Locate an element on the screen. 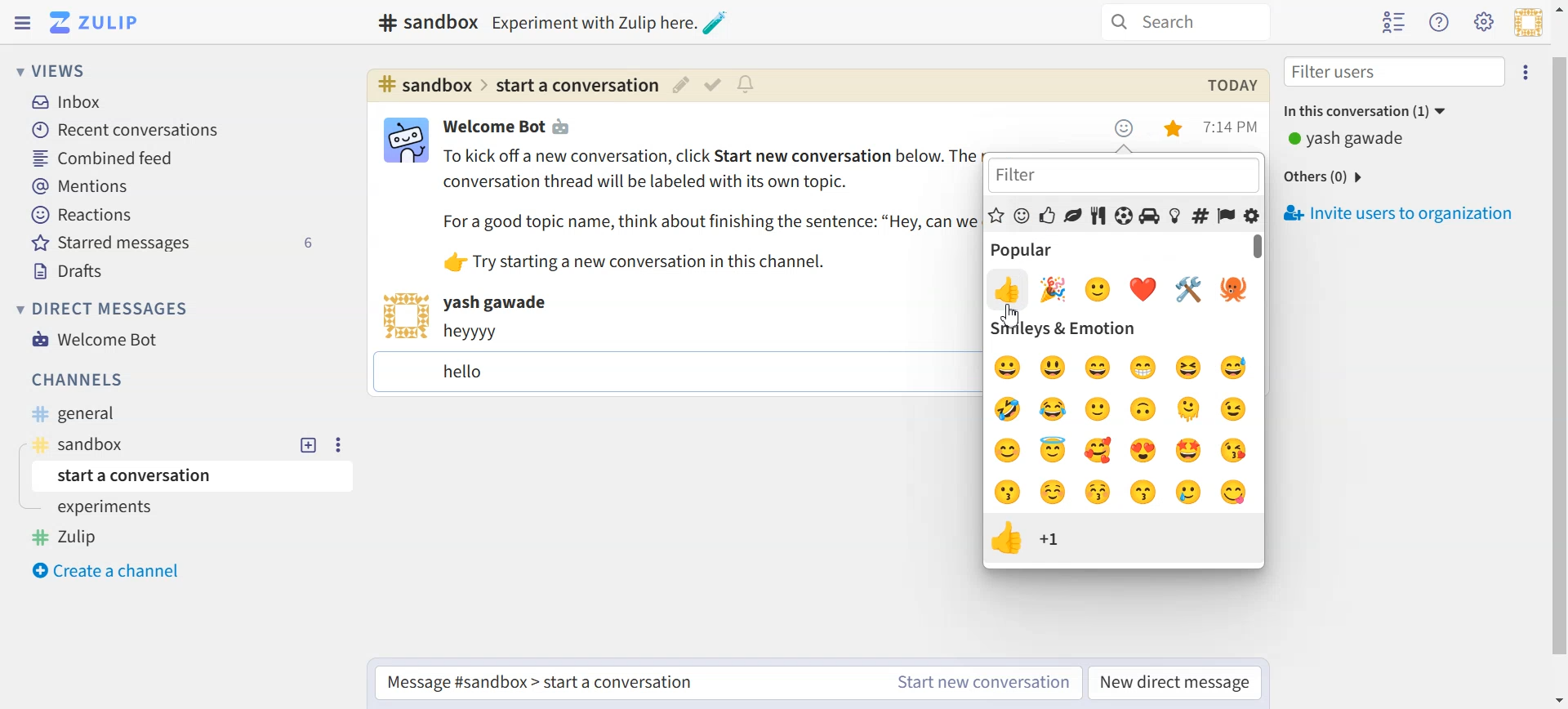 The width and height of the screenshot is (1568, 709). Text is located at coordinates (1231, 85).